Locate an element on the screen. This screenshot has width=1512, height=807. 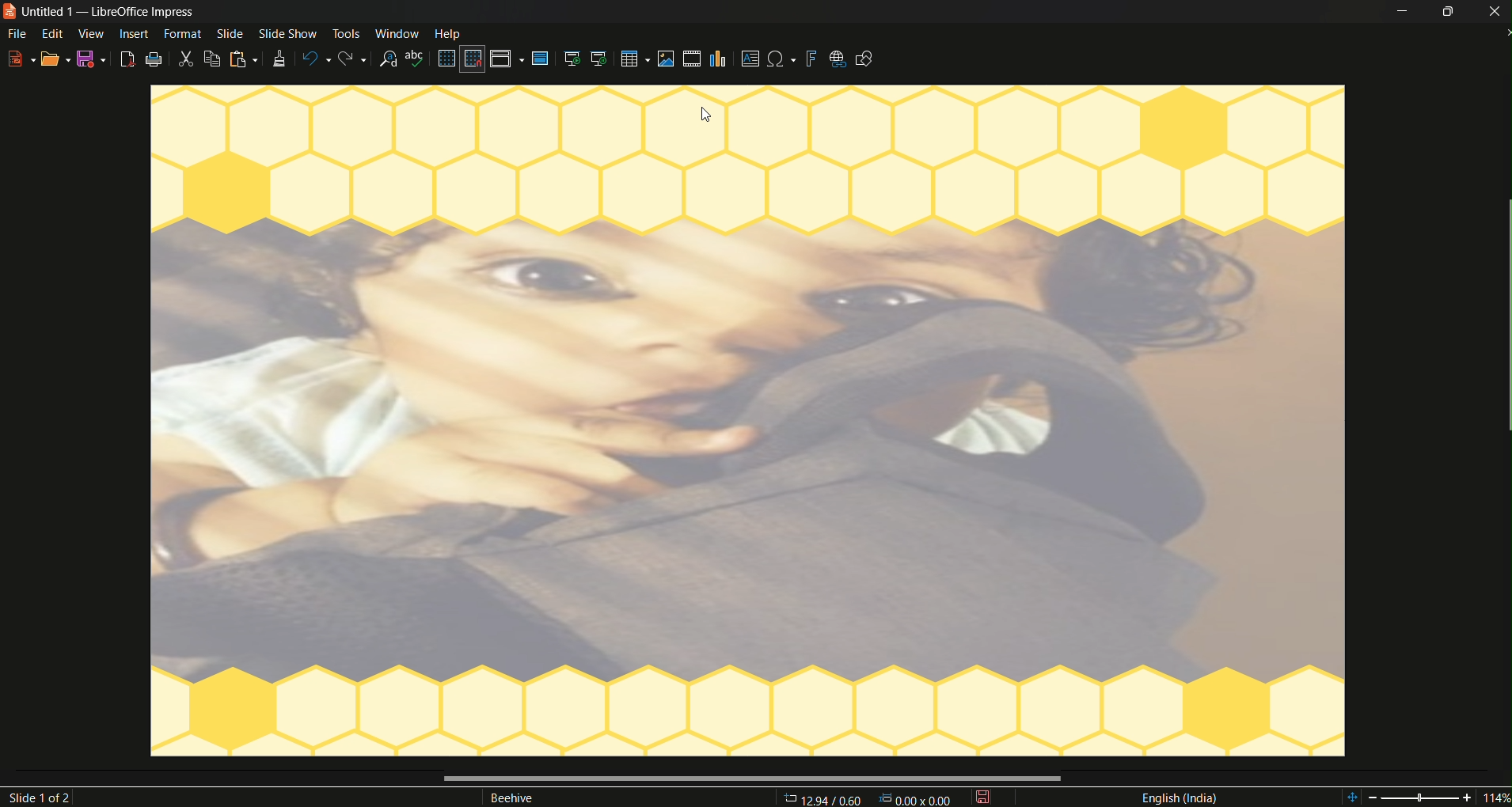
window is located at coordinates (398, 33).